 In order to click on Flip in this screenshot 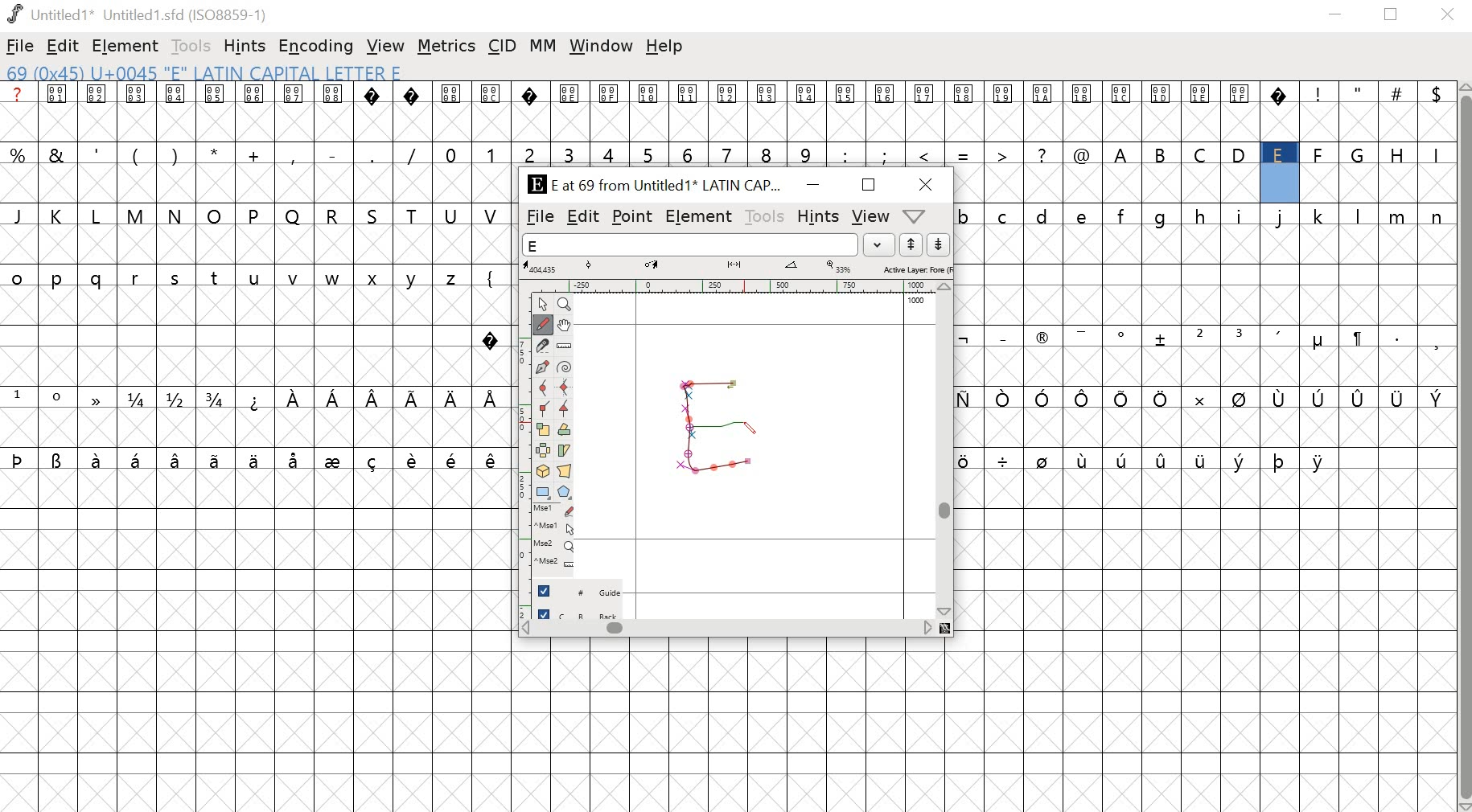, I will do `click(543, 451)`.